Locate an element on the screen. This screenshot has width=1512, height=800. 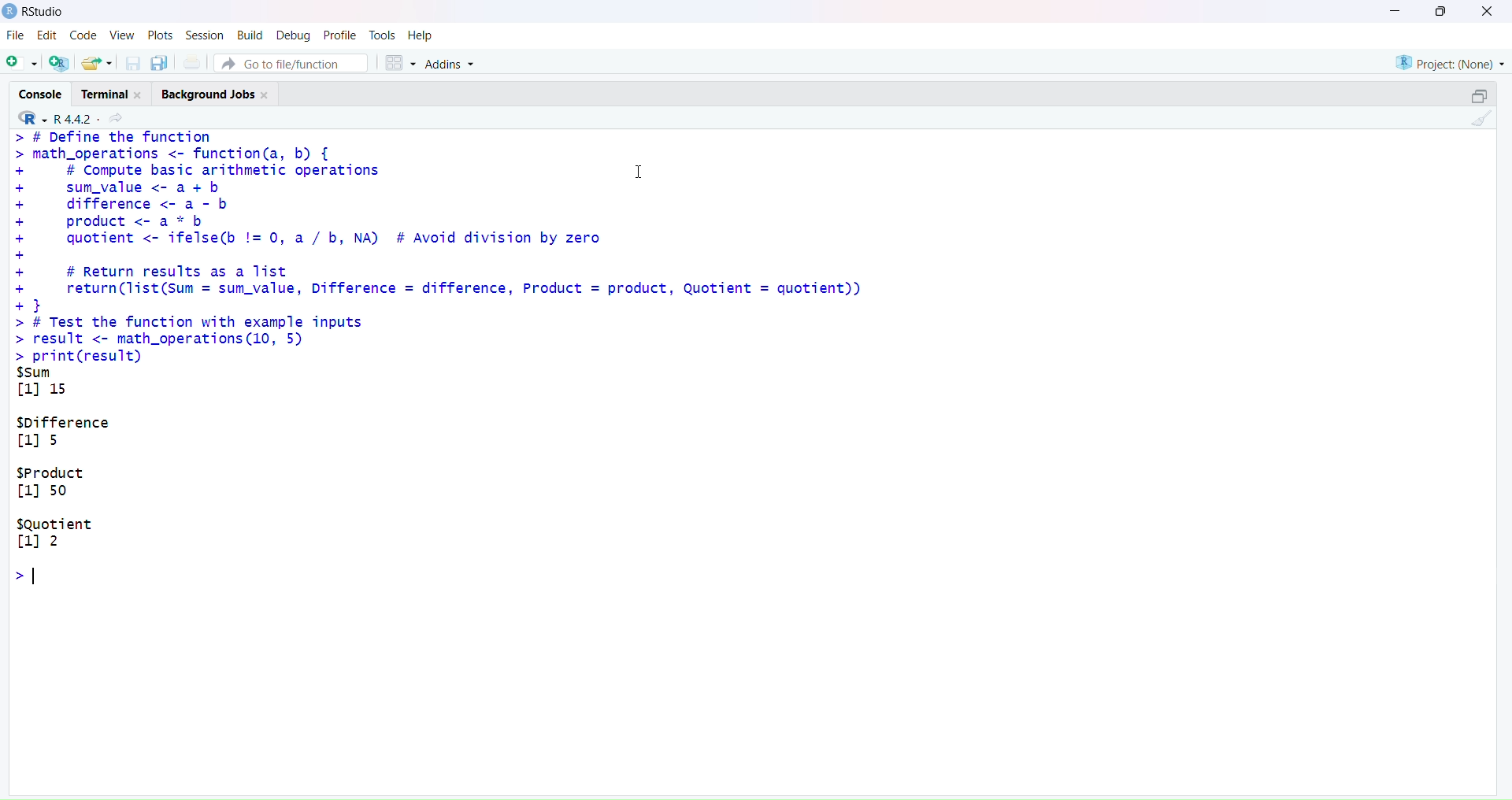
Help is located at coordinates (423, 35).